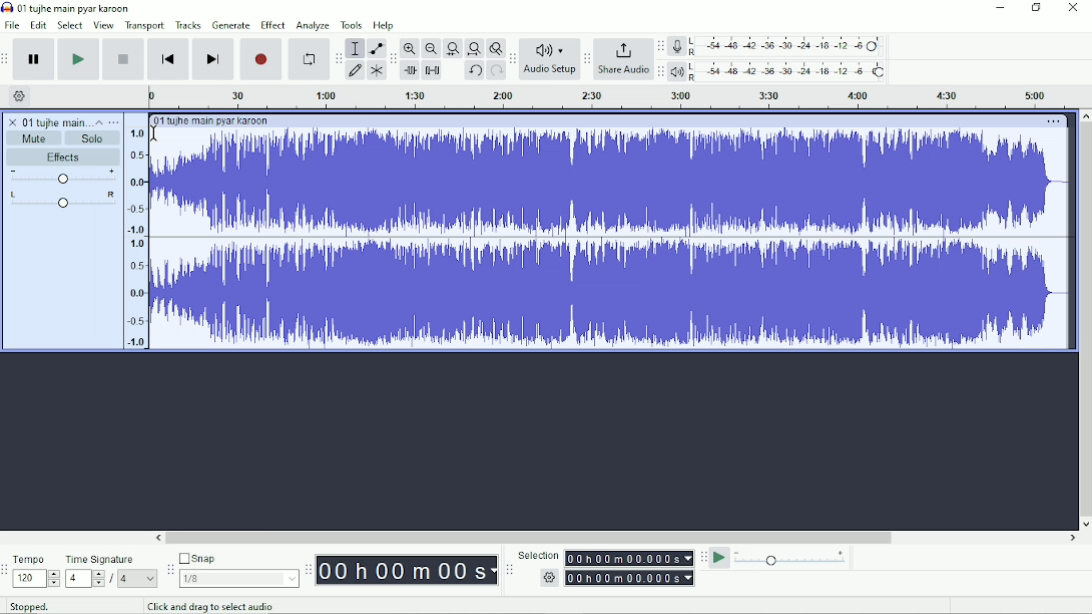 This screenshot has width=1092, height=614. Describe the element at coordinates (113, 122) in the screenshot. I see `More options` at that location.